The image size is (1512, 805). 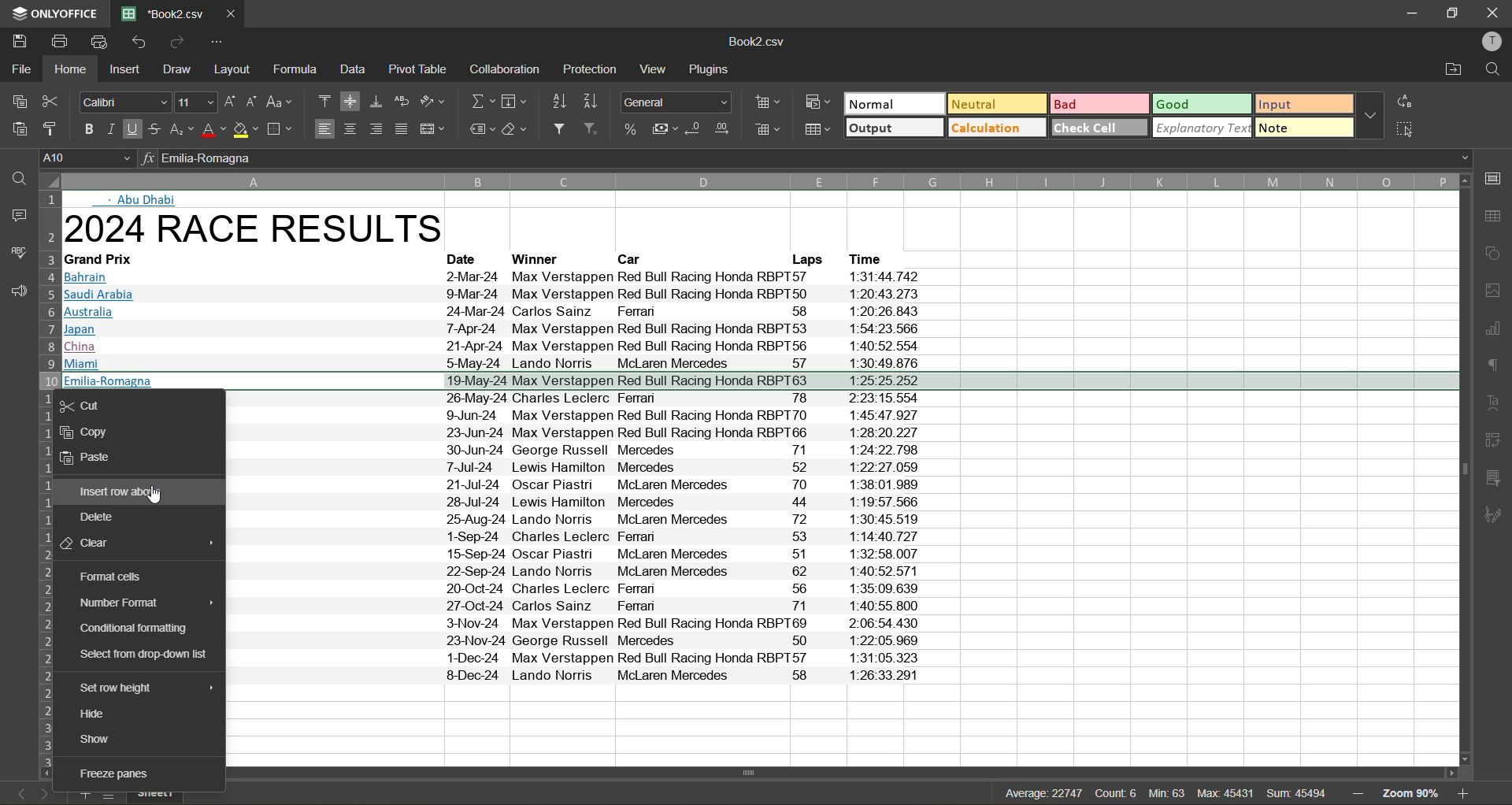 I want to click on China 21-Apr-24 Max Verstappen Red Bull Racing Honda RBPT56 1:40:52 554, so click(x=495, y=347).